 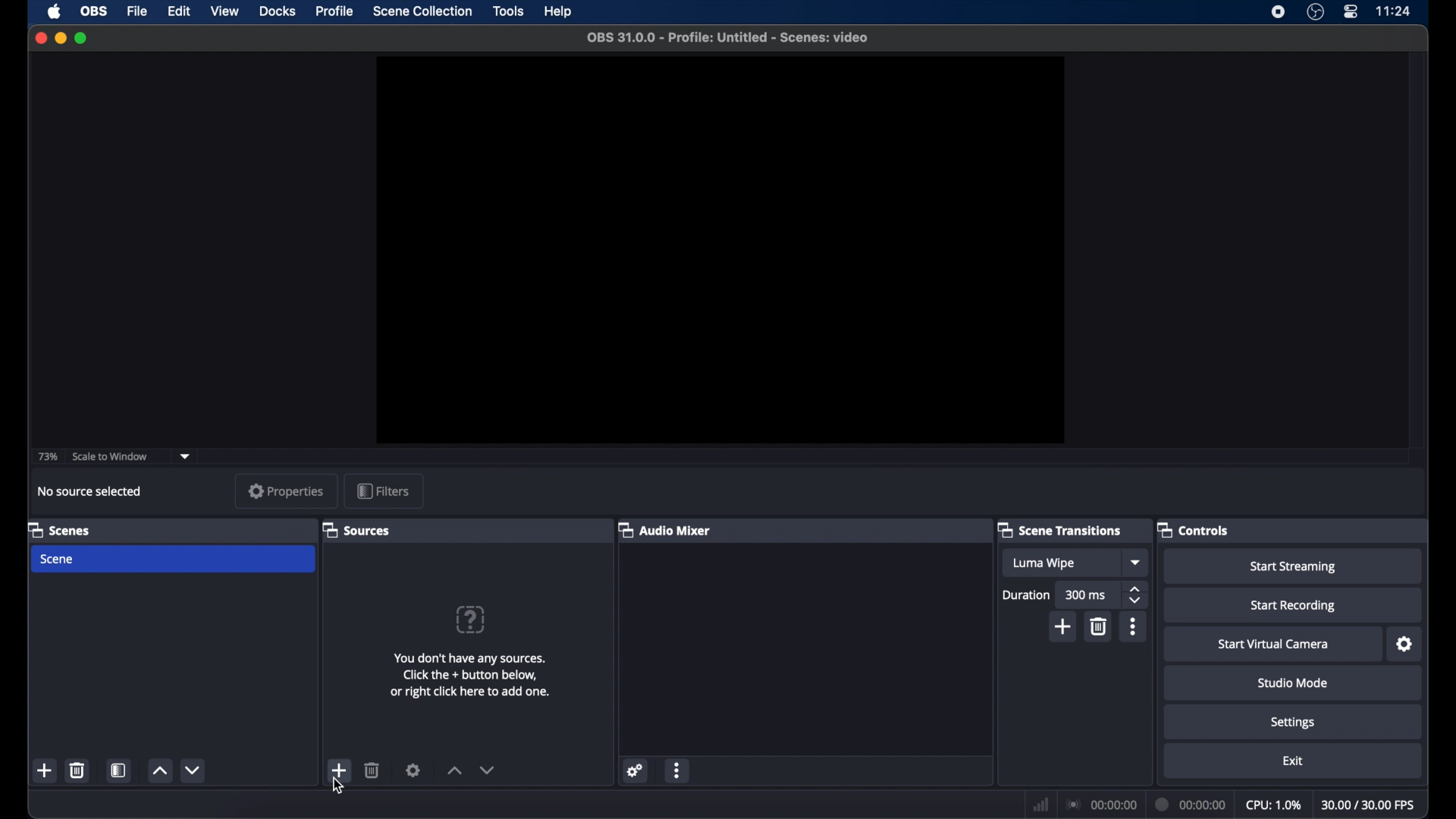 I want to click on help, so click(x=559, y=11).